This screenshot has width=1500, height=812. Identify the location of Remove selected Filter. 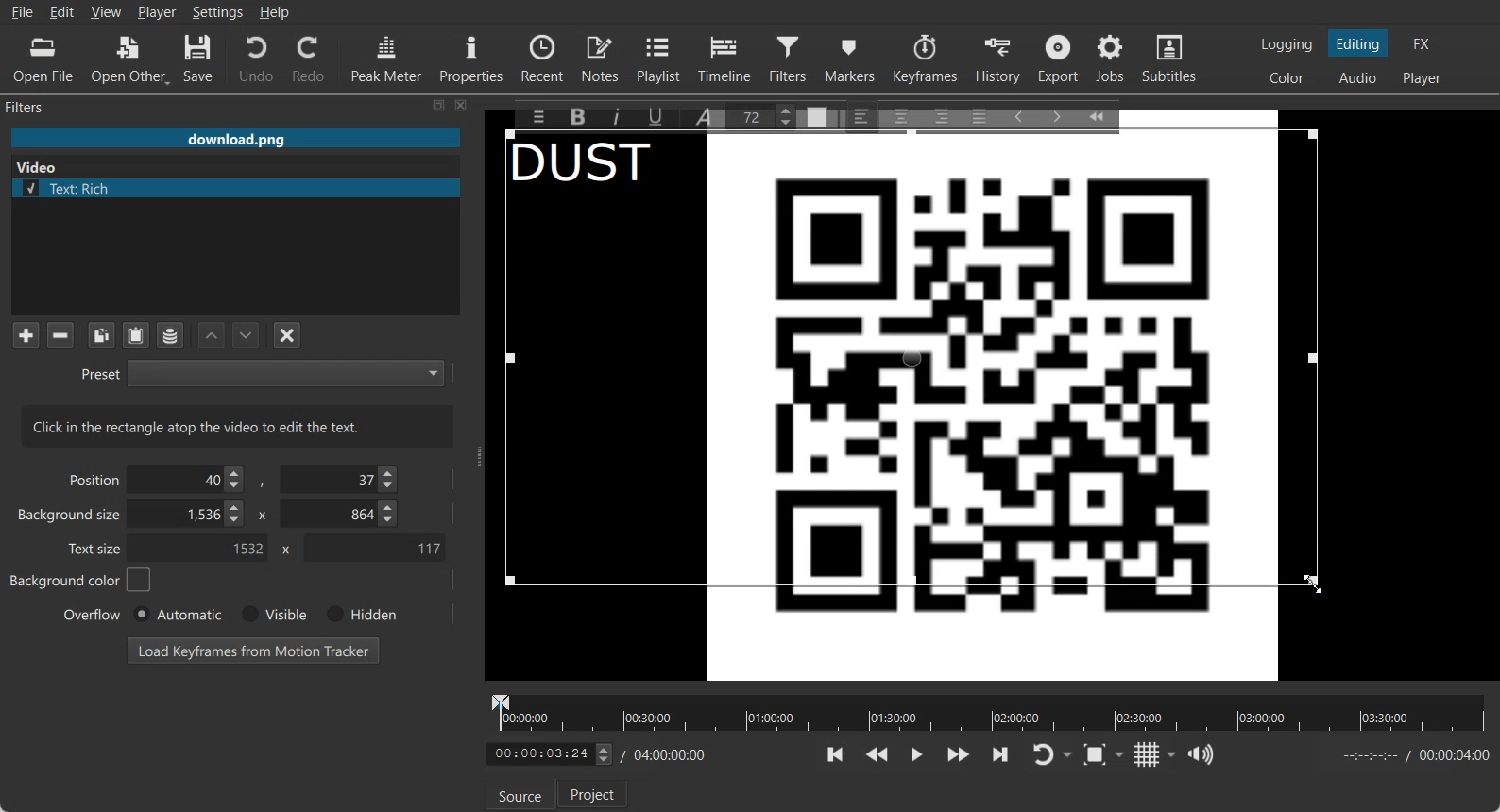
(60, 334).